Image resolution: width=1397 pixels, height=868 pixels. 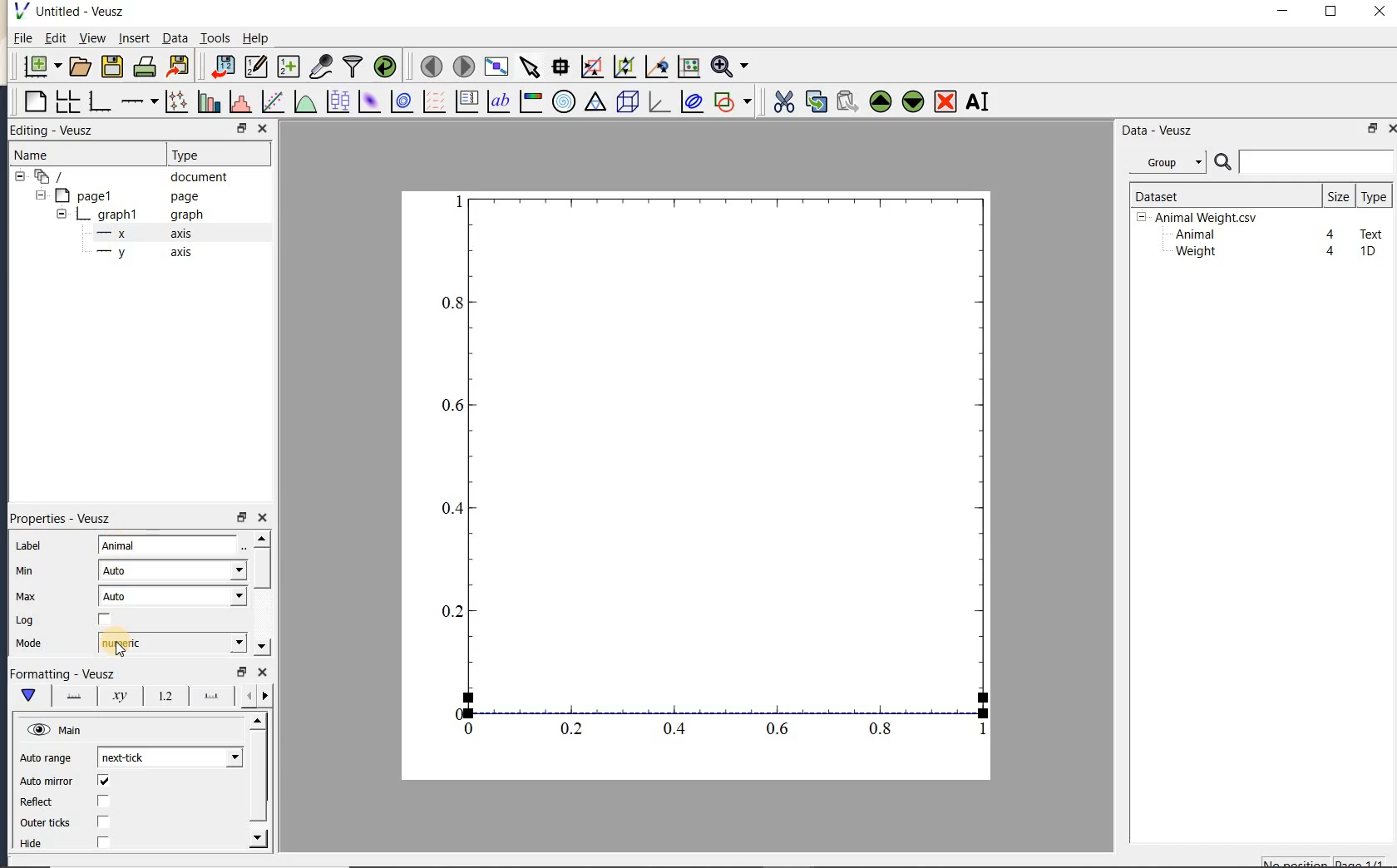 I want to click on close, so click(x=1391, y=129).